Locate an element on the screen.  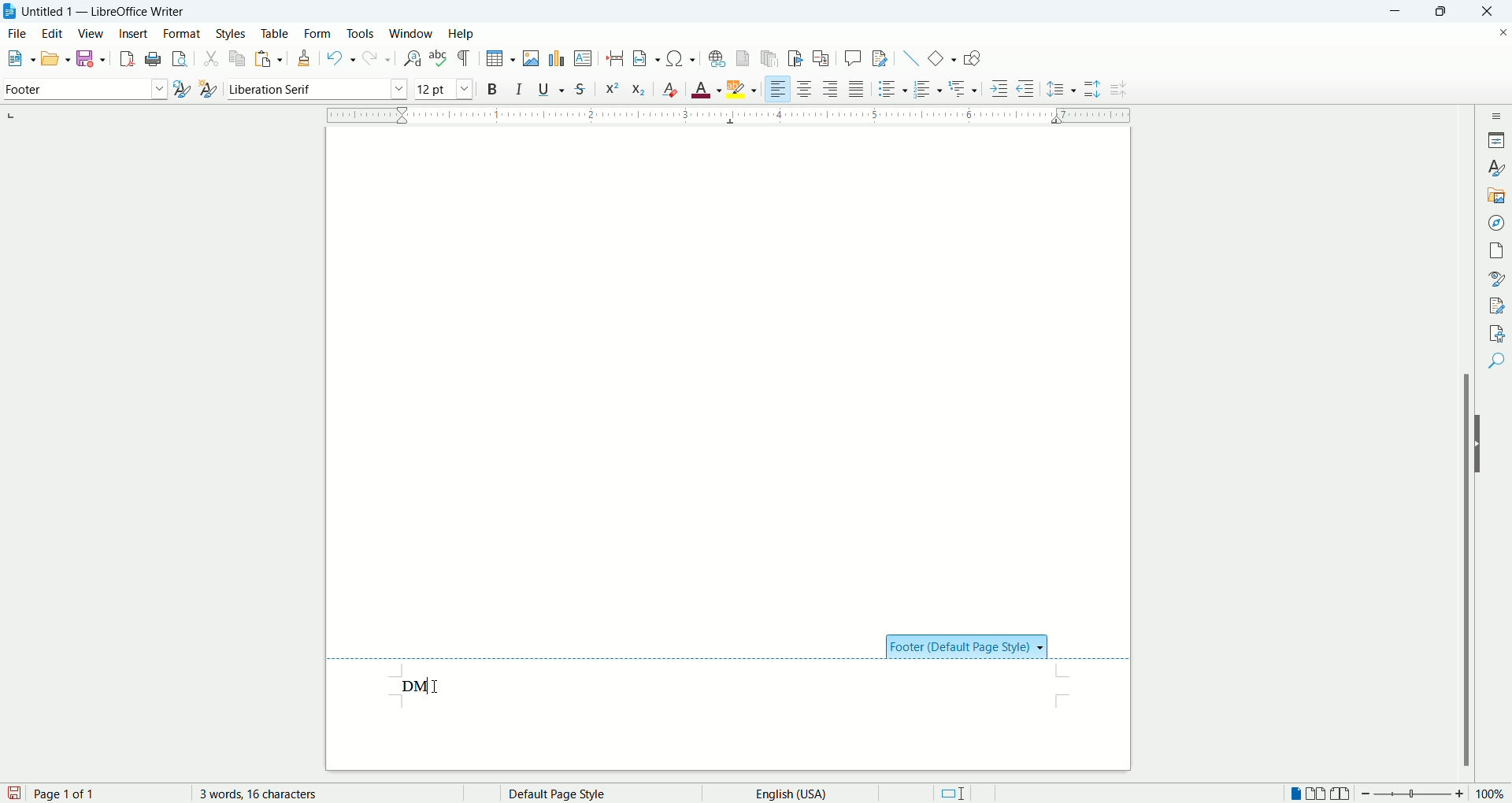
tools is located at coordinates (362, 32).